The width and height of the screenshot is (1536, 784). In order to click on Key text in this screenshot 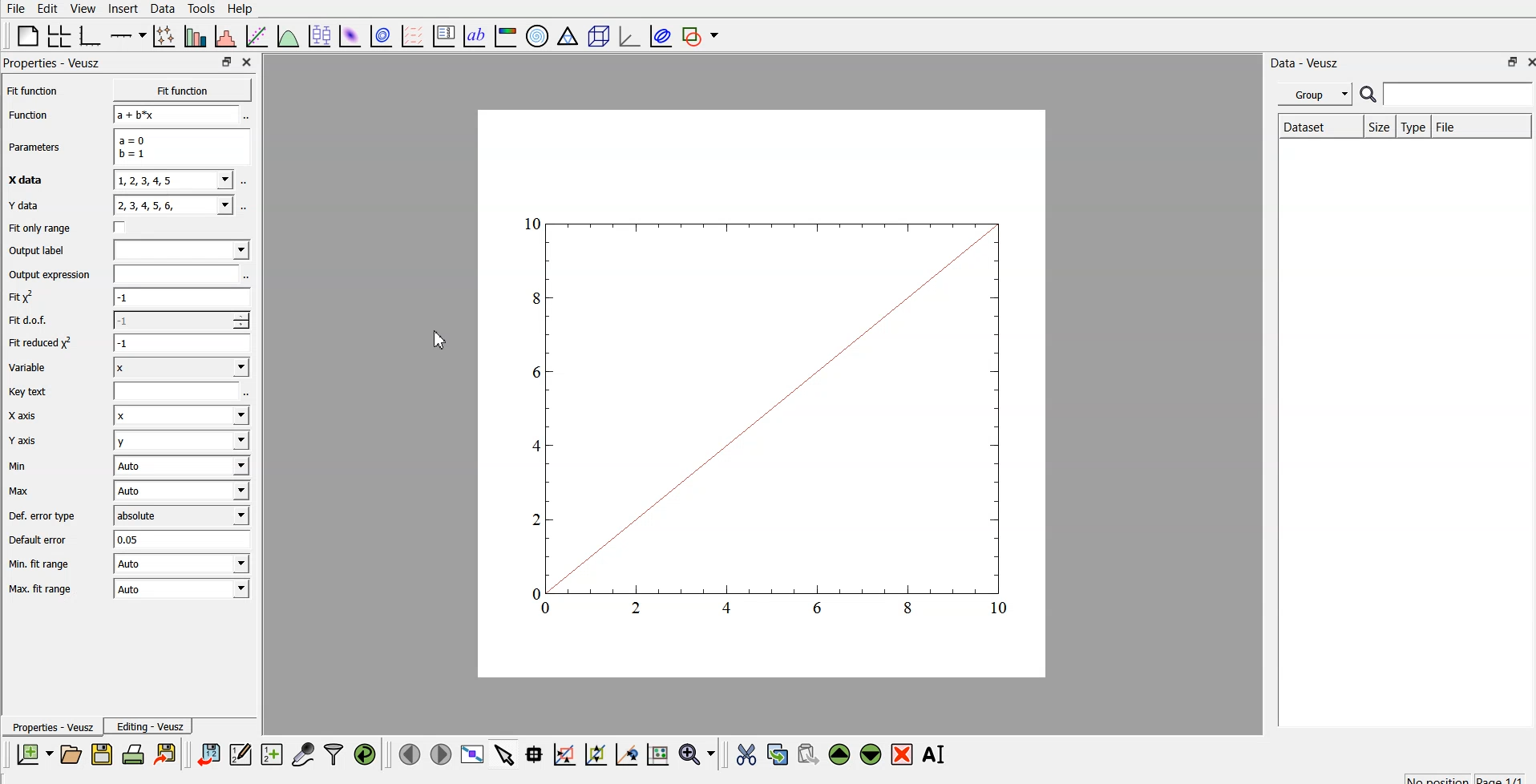, I will do `click(38, 393)`.